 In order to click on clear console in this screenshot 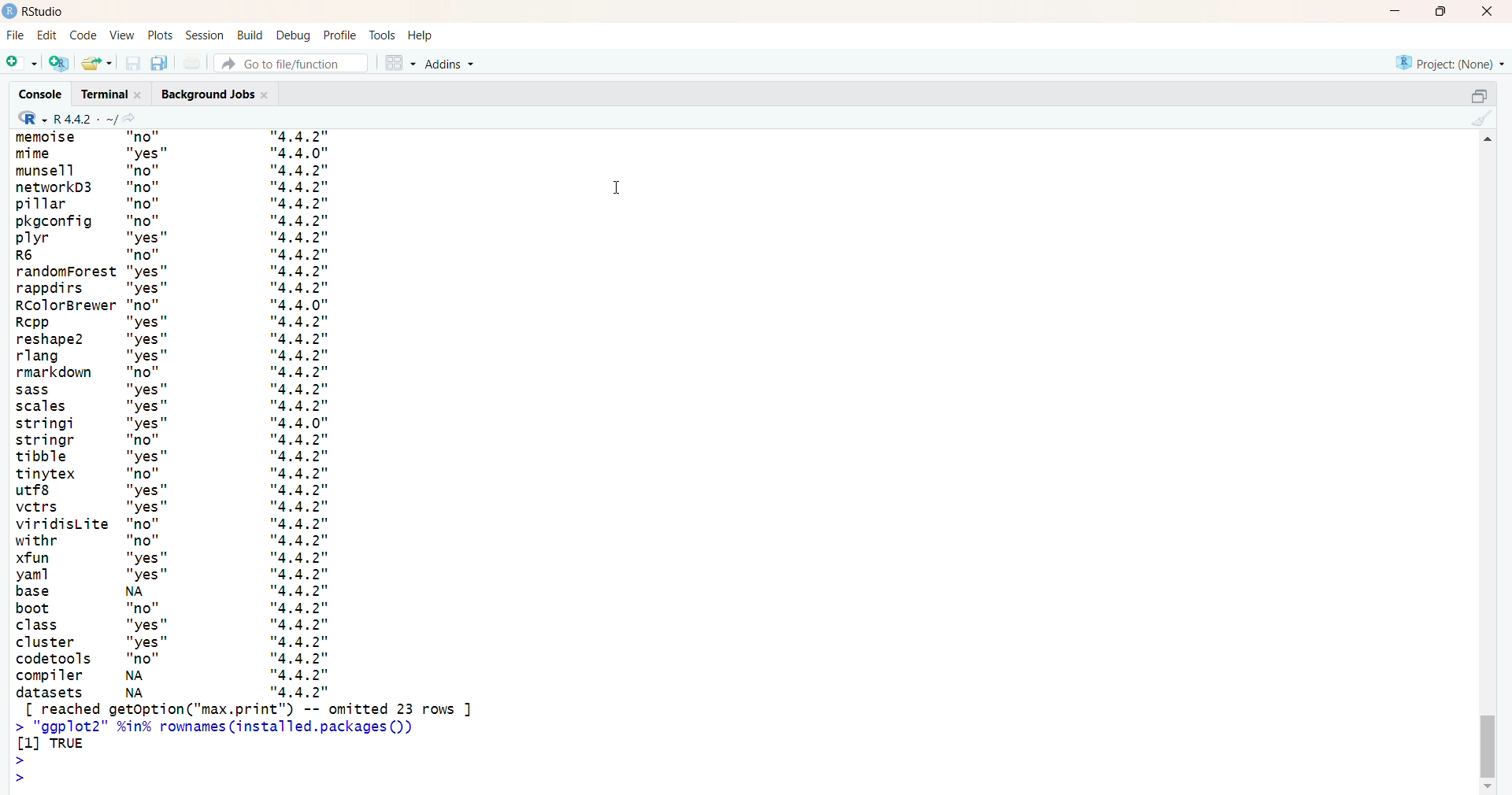, I will do `click(1480, 120)`.